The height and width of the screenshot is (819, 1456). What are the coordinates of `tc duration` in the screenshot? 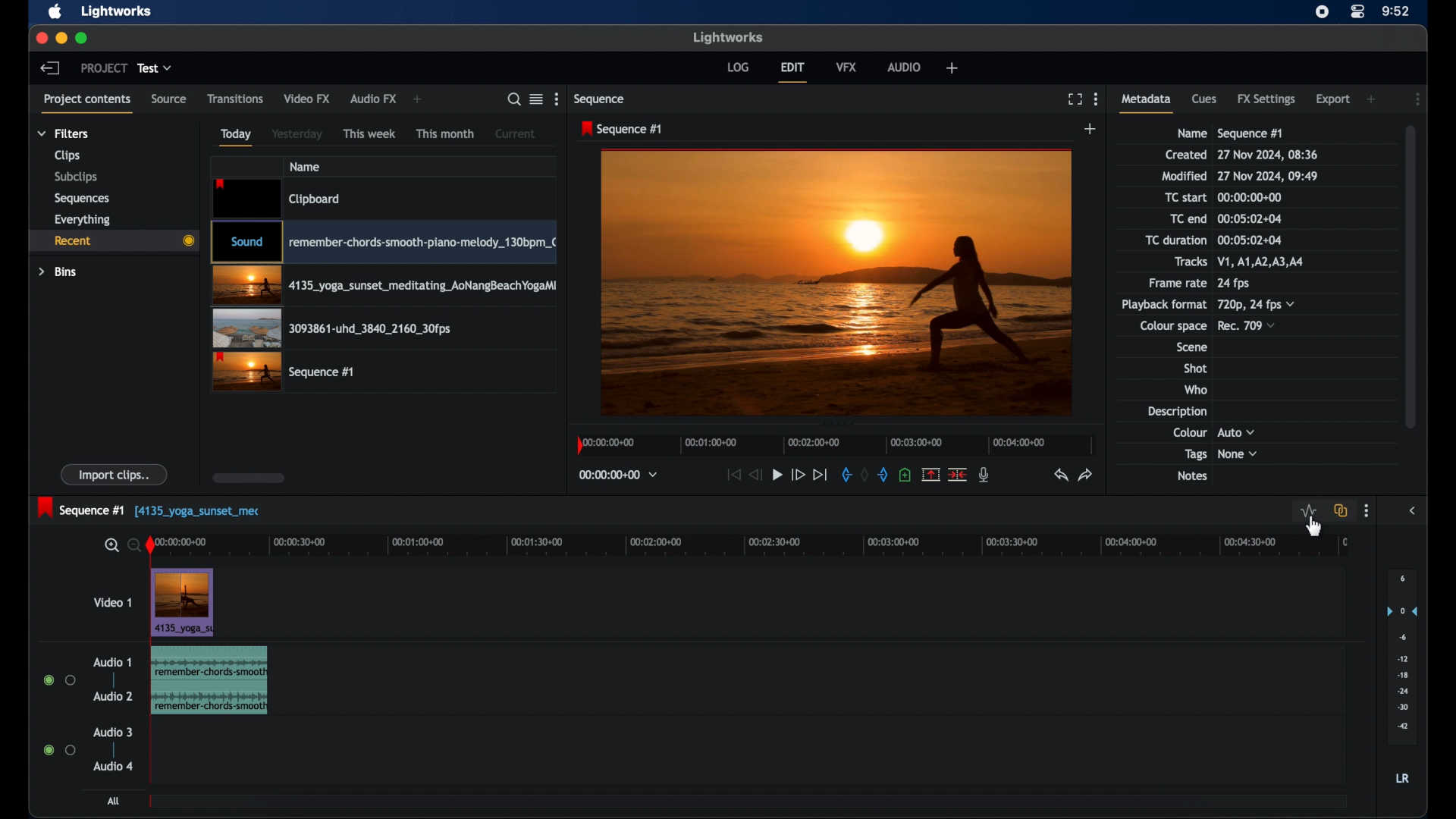 It's located at (1175, 240).